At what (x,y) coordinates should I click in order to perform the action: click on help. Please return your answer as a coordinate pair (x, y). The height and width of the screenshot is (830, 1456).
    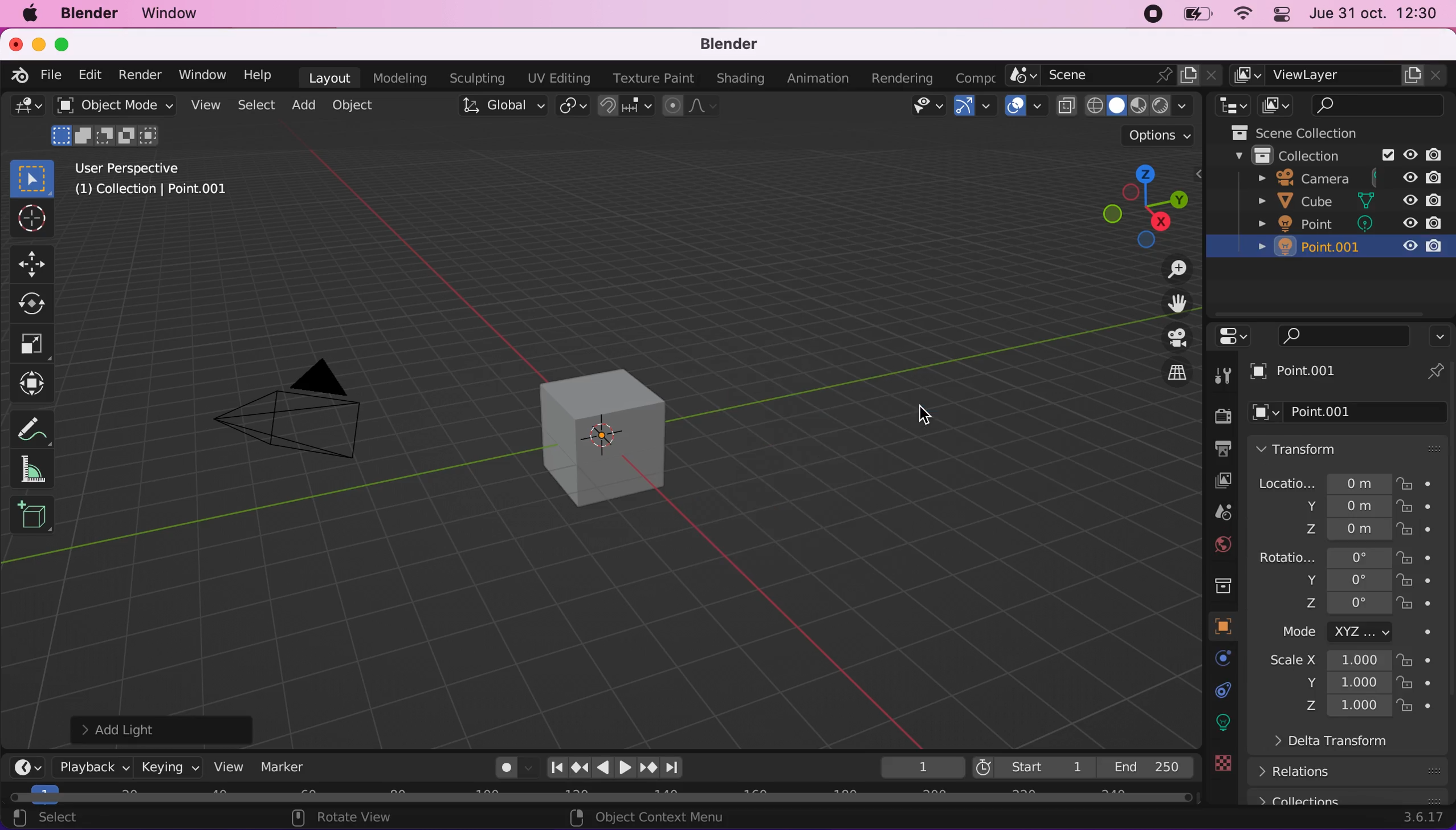
    Looking at the image, I should click on (260, 74).